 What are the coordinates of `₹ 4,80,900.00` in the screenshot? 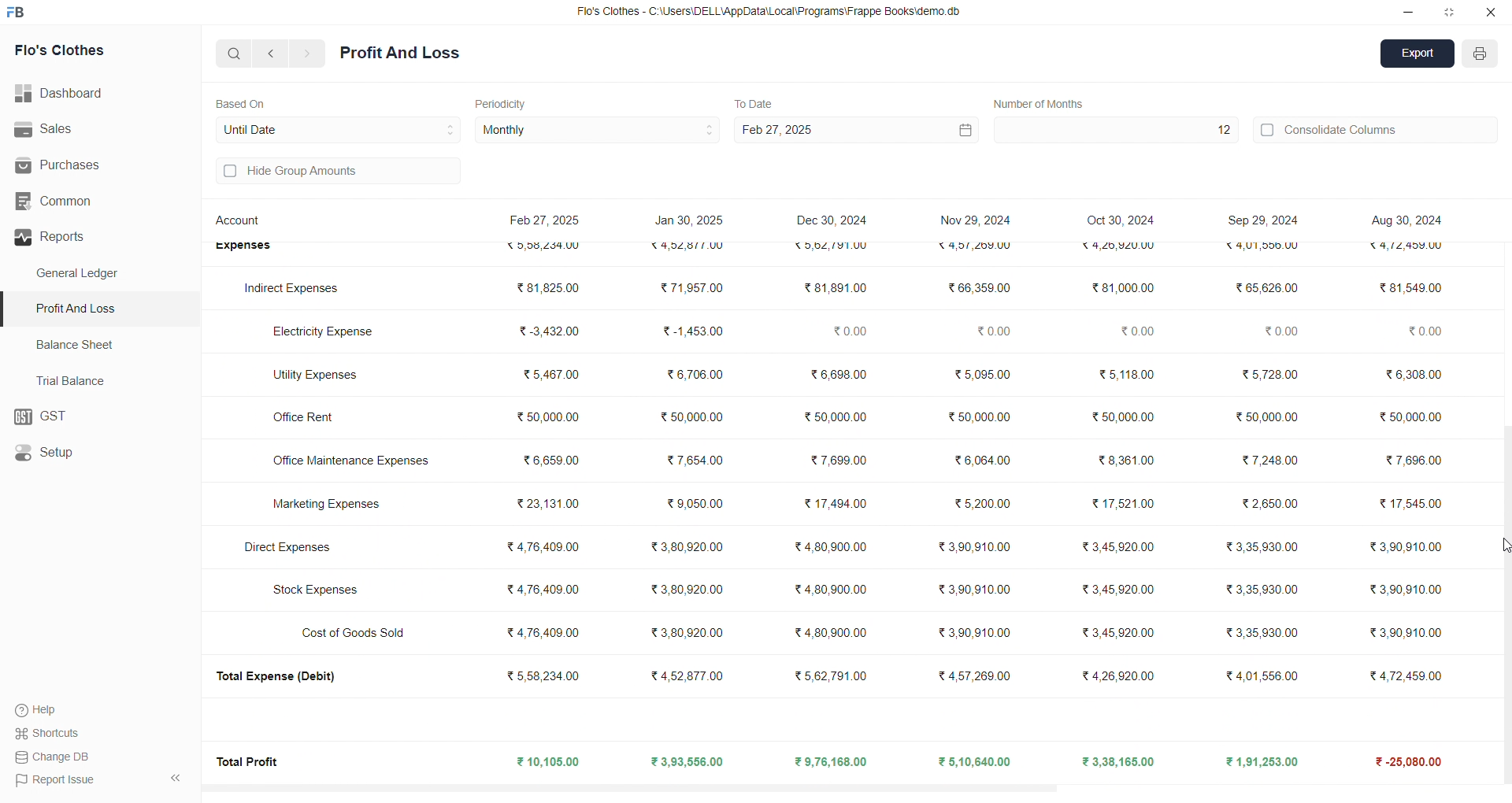 It's located at (836, 590).